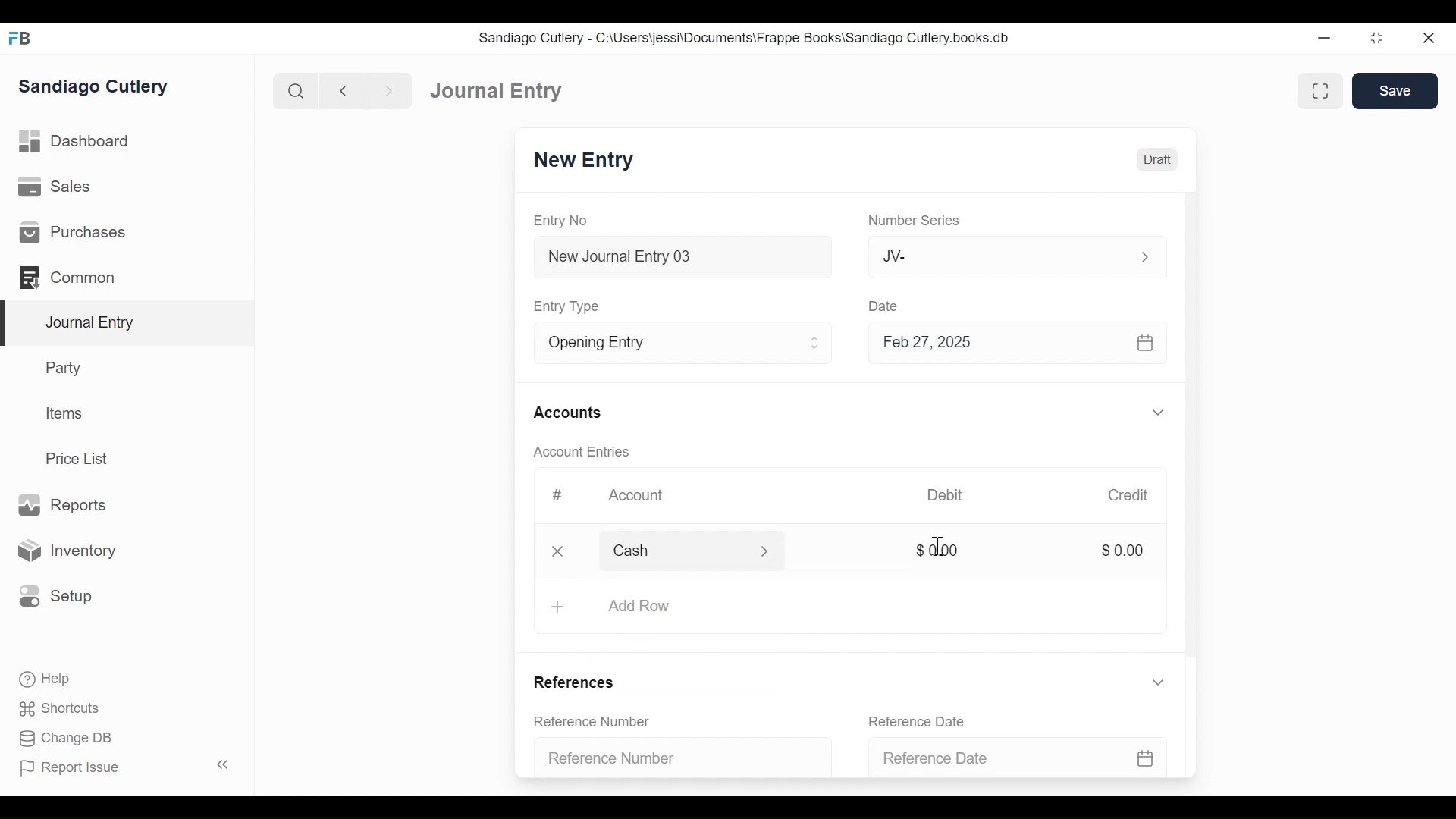  Describe the element at coordinates (64, 739) in the screenshot. I see `Change DB` at that location.